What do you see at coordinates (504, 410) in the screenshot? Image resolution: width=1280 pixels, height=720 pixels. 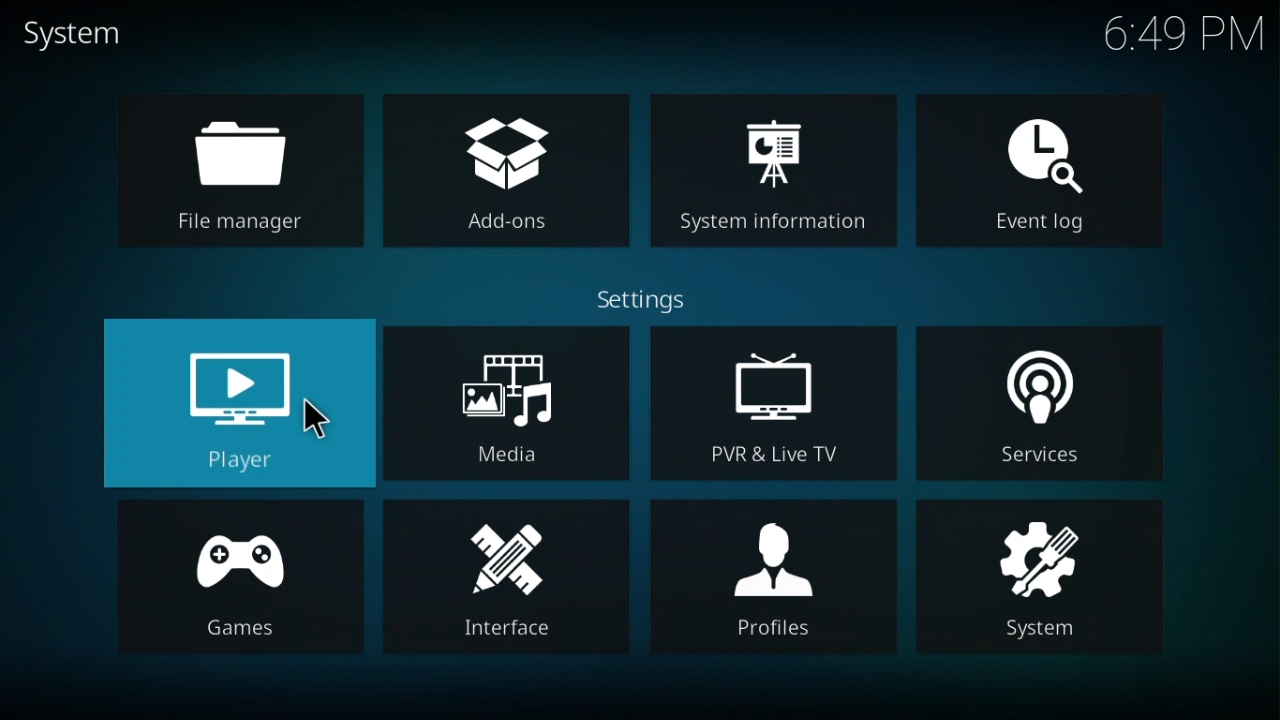 I see `Media` at bounding box center [504, 410].